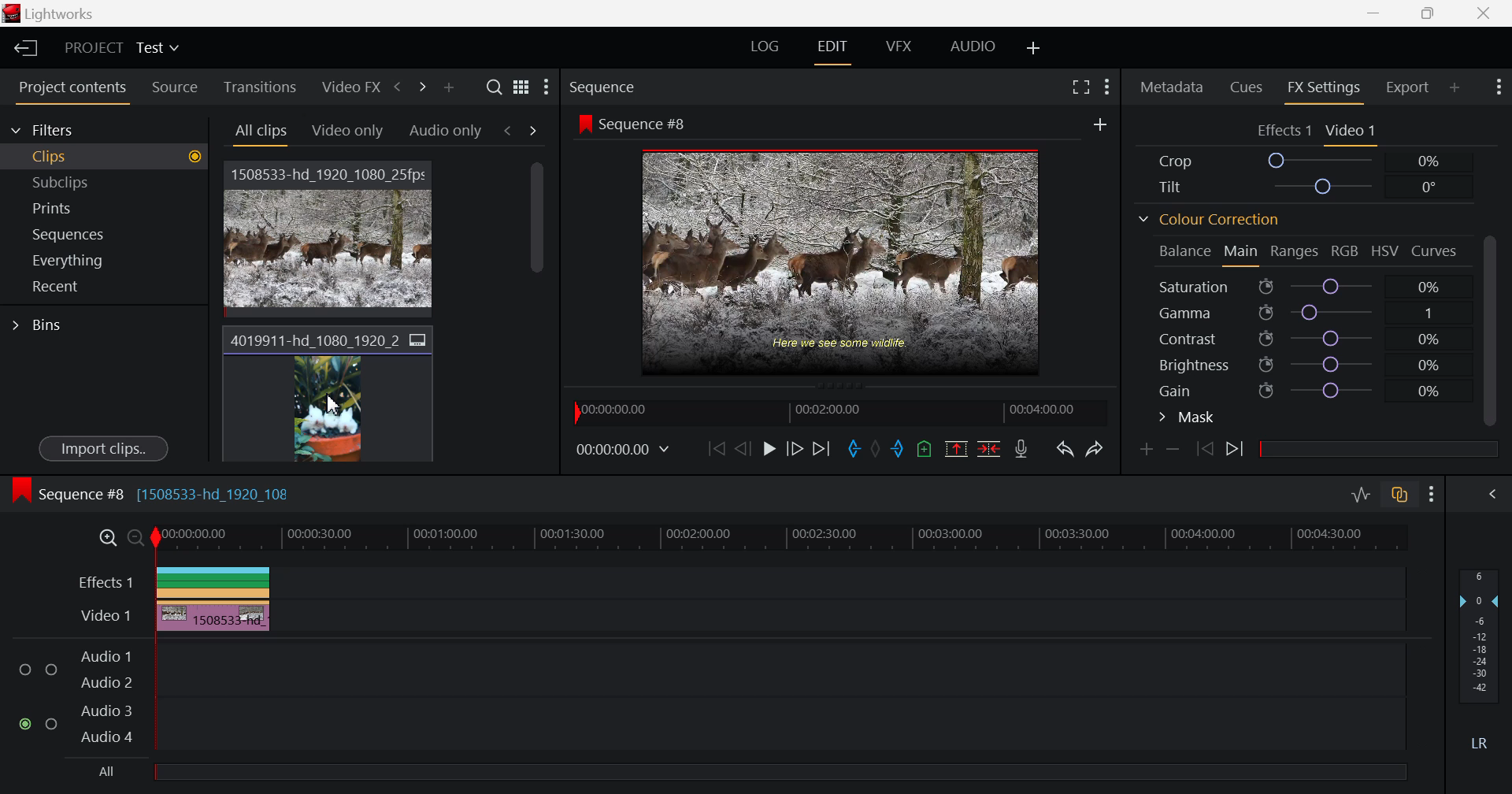 This screenshot has width=1512, height=794. Describe the element at coordinates (732, 581) in the screenshot. I see `Effects Layer` at that location.